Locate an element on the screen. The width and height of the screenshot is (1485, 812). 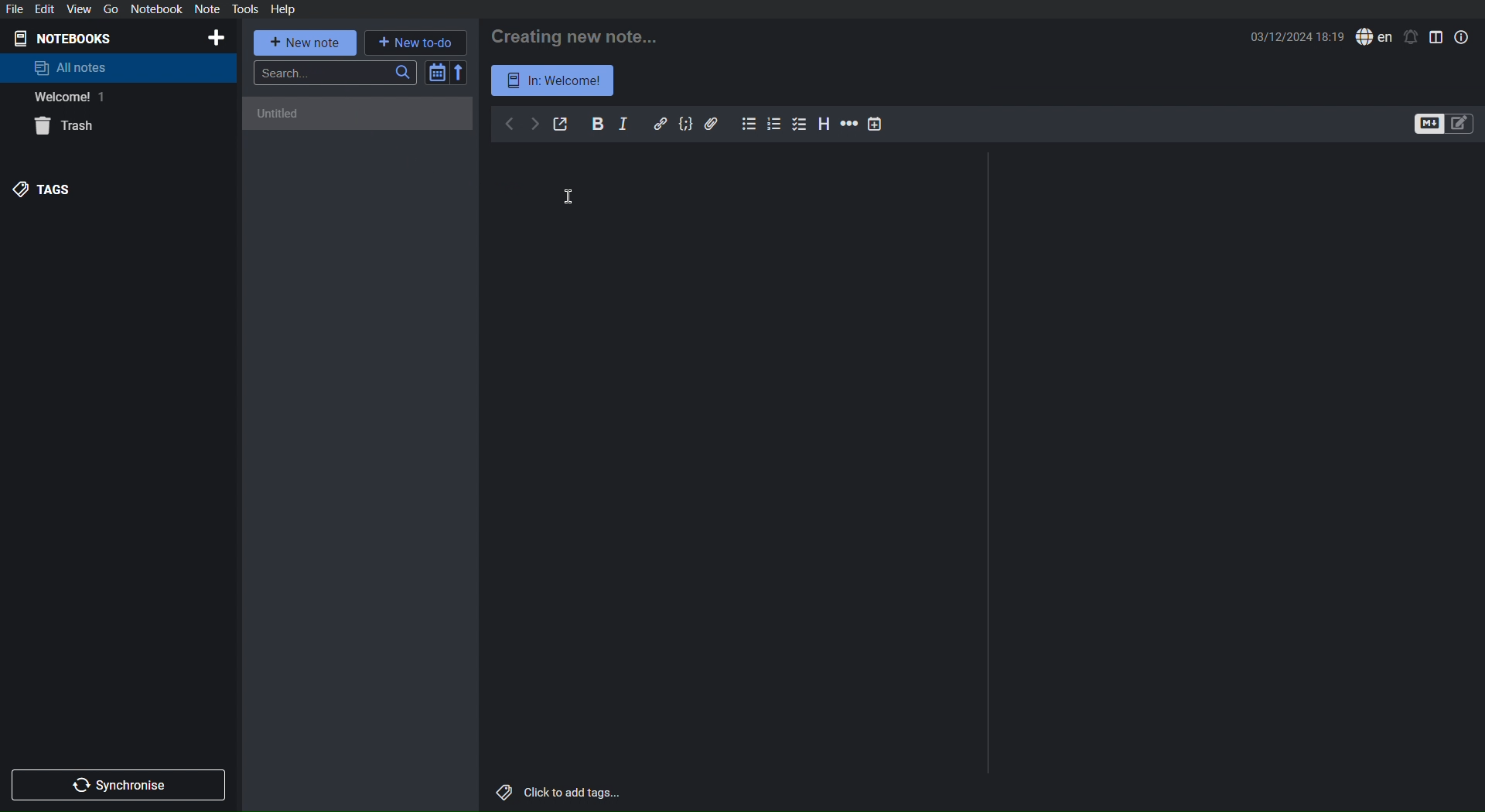
File is located at coordinates (17, 9).